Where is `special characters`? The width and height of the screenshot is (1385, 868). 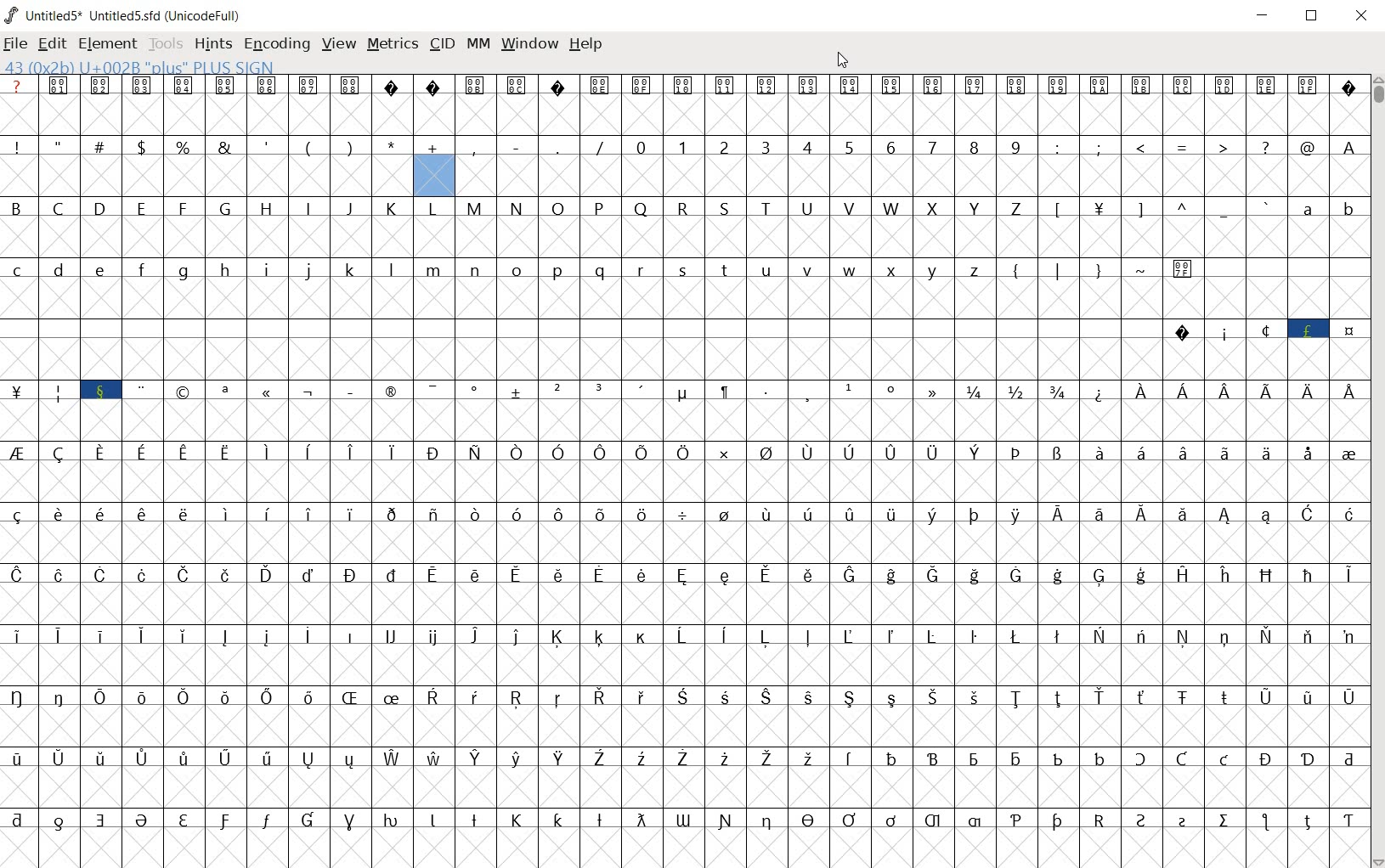
special characters is located at coordinates (1015, 471).